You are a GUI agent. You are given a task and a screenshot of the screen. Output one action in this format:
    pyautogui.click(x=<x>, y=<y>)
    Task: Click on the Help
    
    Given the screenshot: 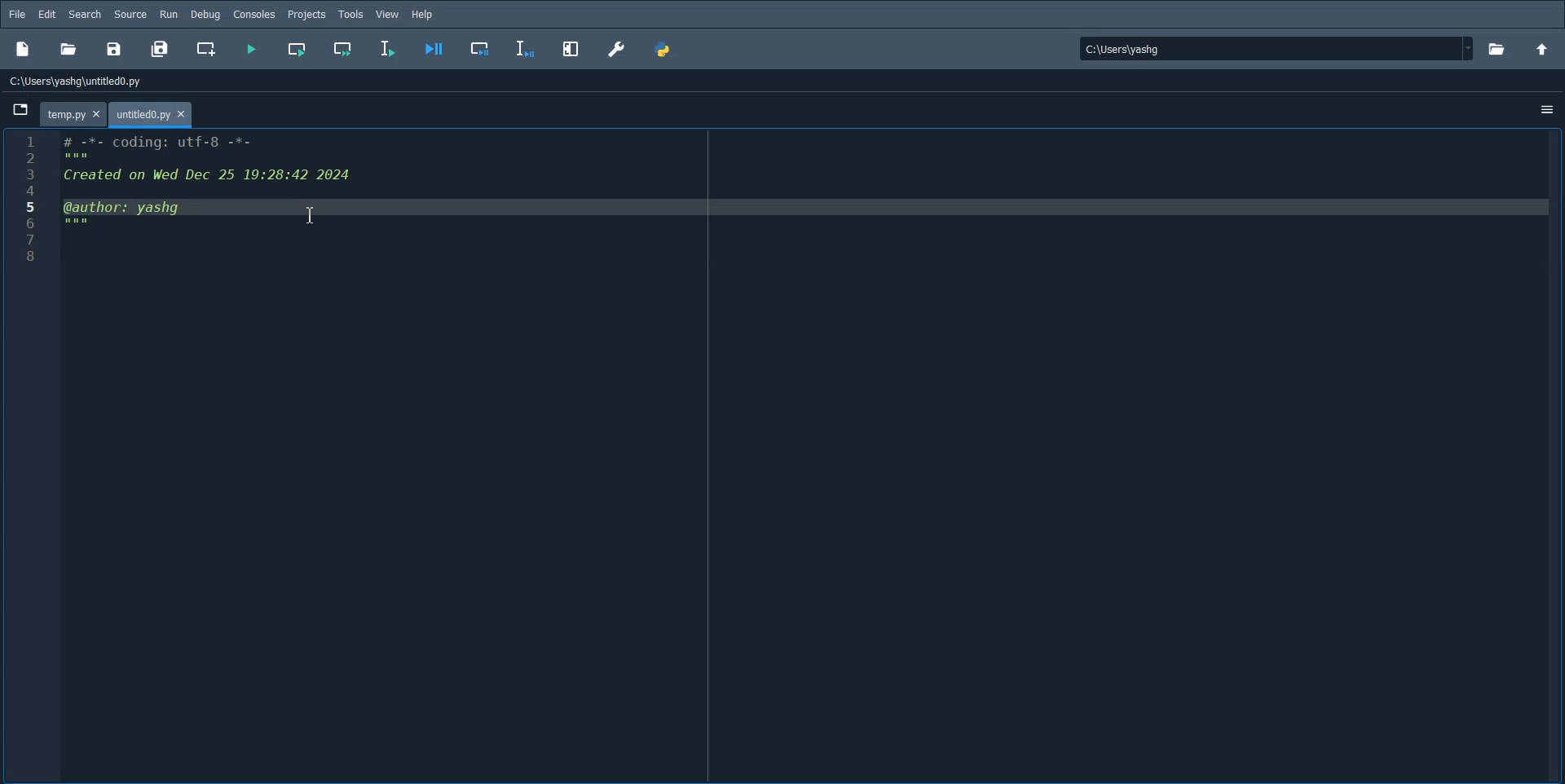 What is the action you would take?
    pyautogui.click(x=423, y=13)
    